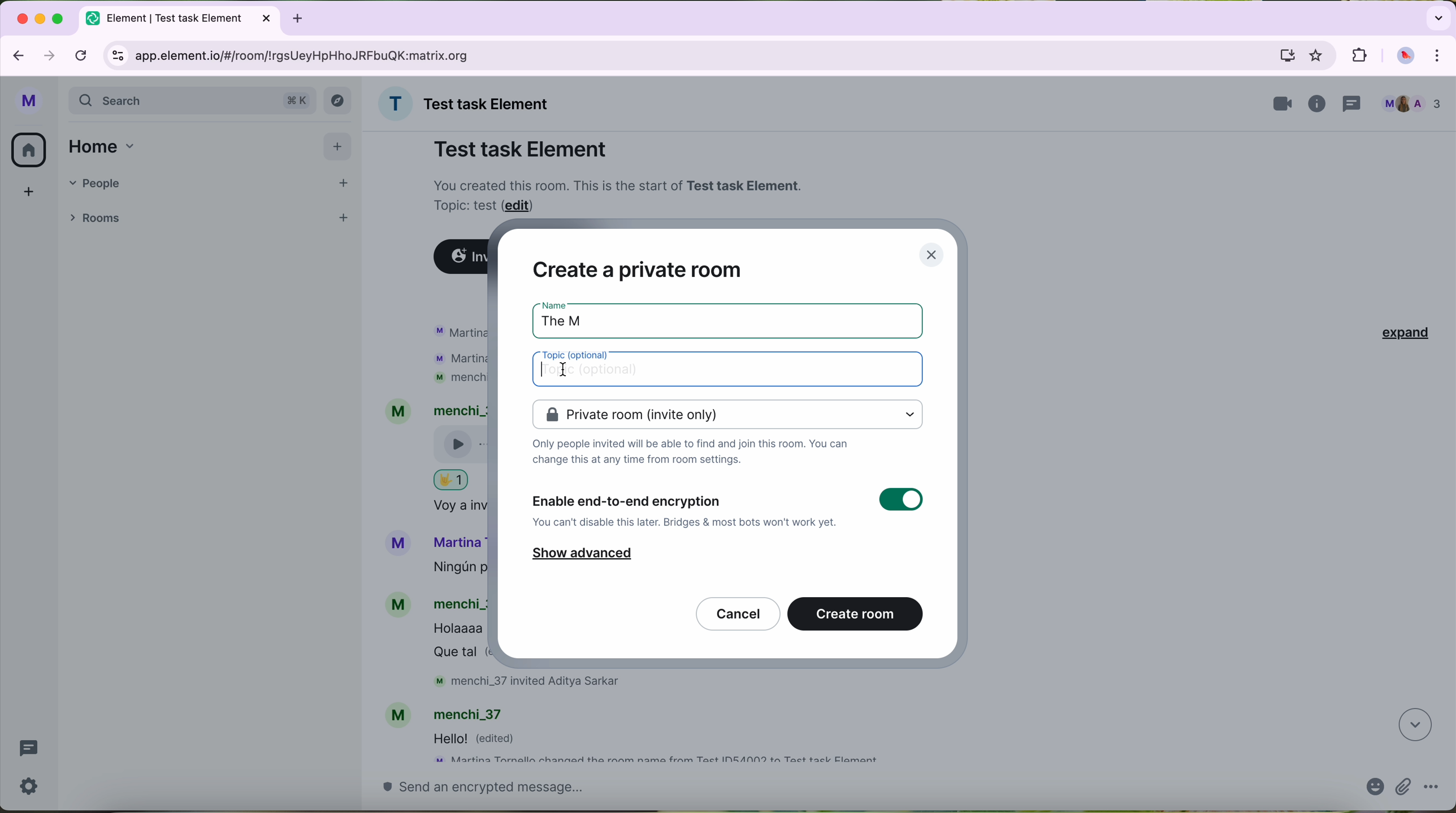 This screenshot has width=1456, height=813. I want to click on navigate down, so click(1413, 725).